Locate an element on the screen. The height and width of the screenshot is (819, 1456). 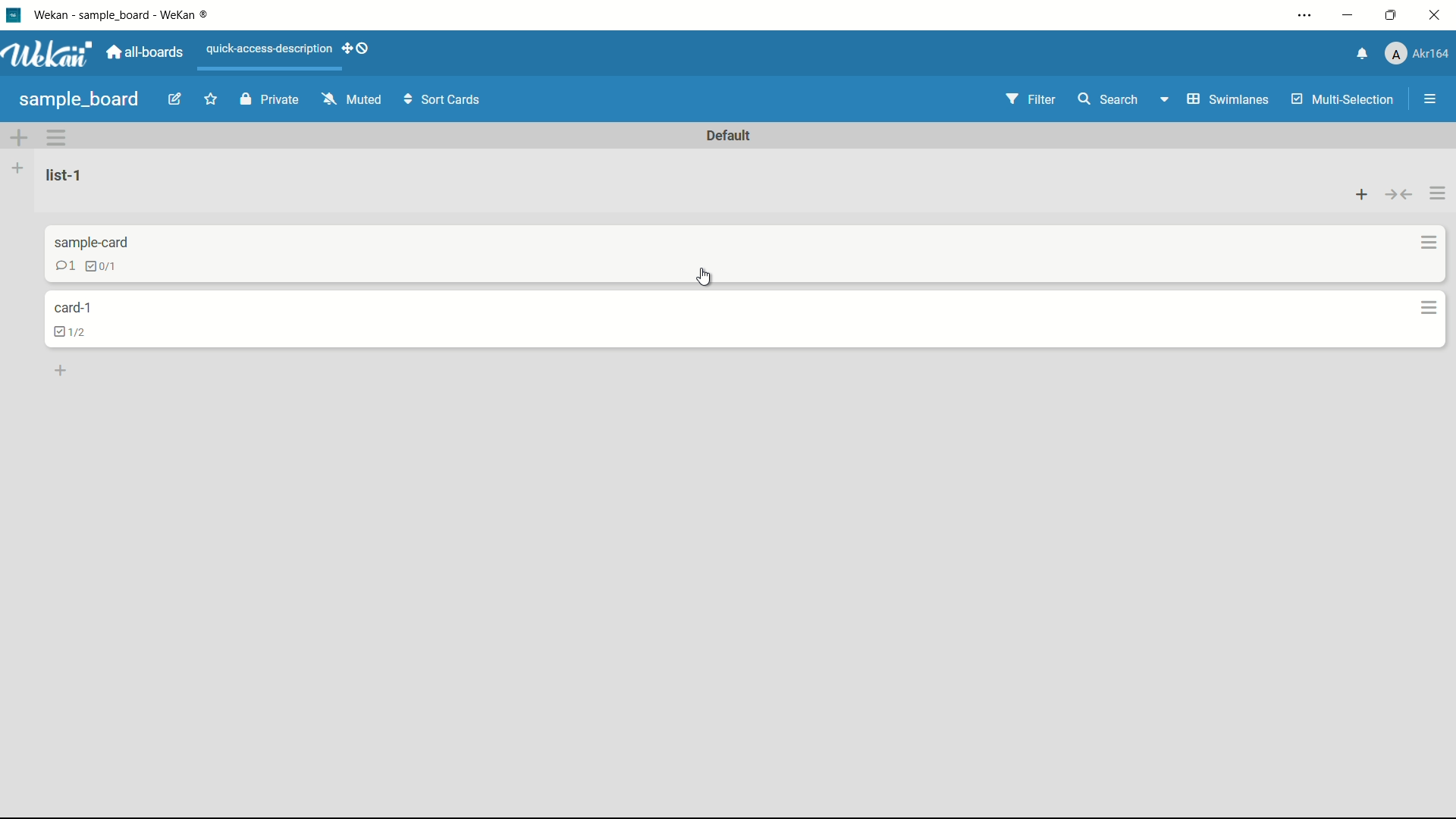
all boards is located at coordinates (147, 52).